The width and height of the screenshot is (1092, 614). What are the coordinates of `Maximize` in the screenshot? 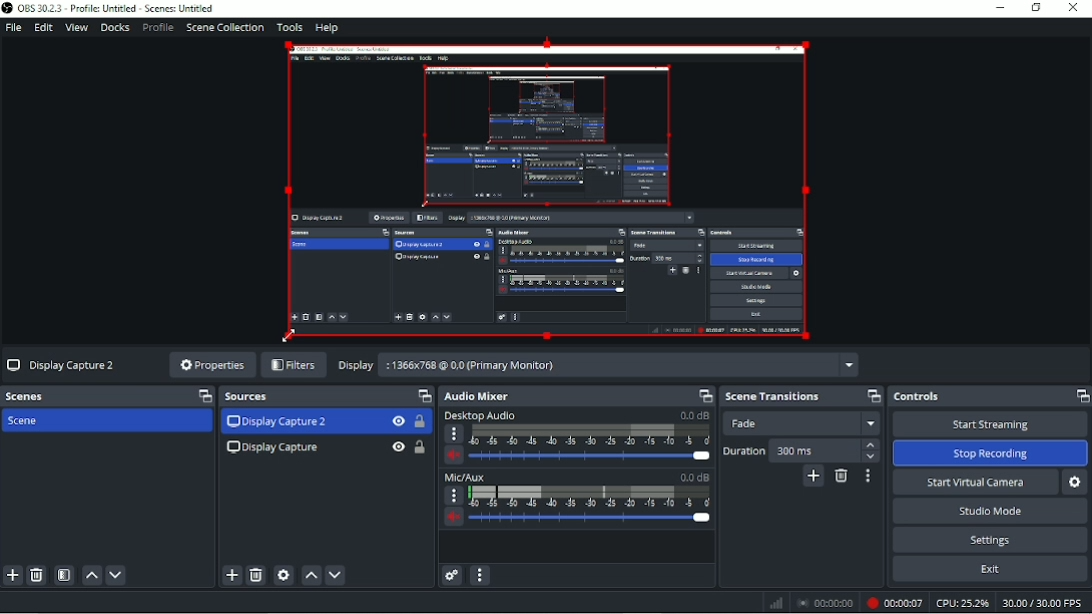 It's located at (870, 396).